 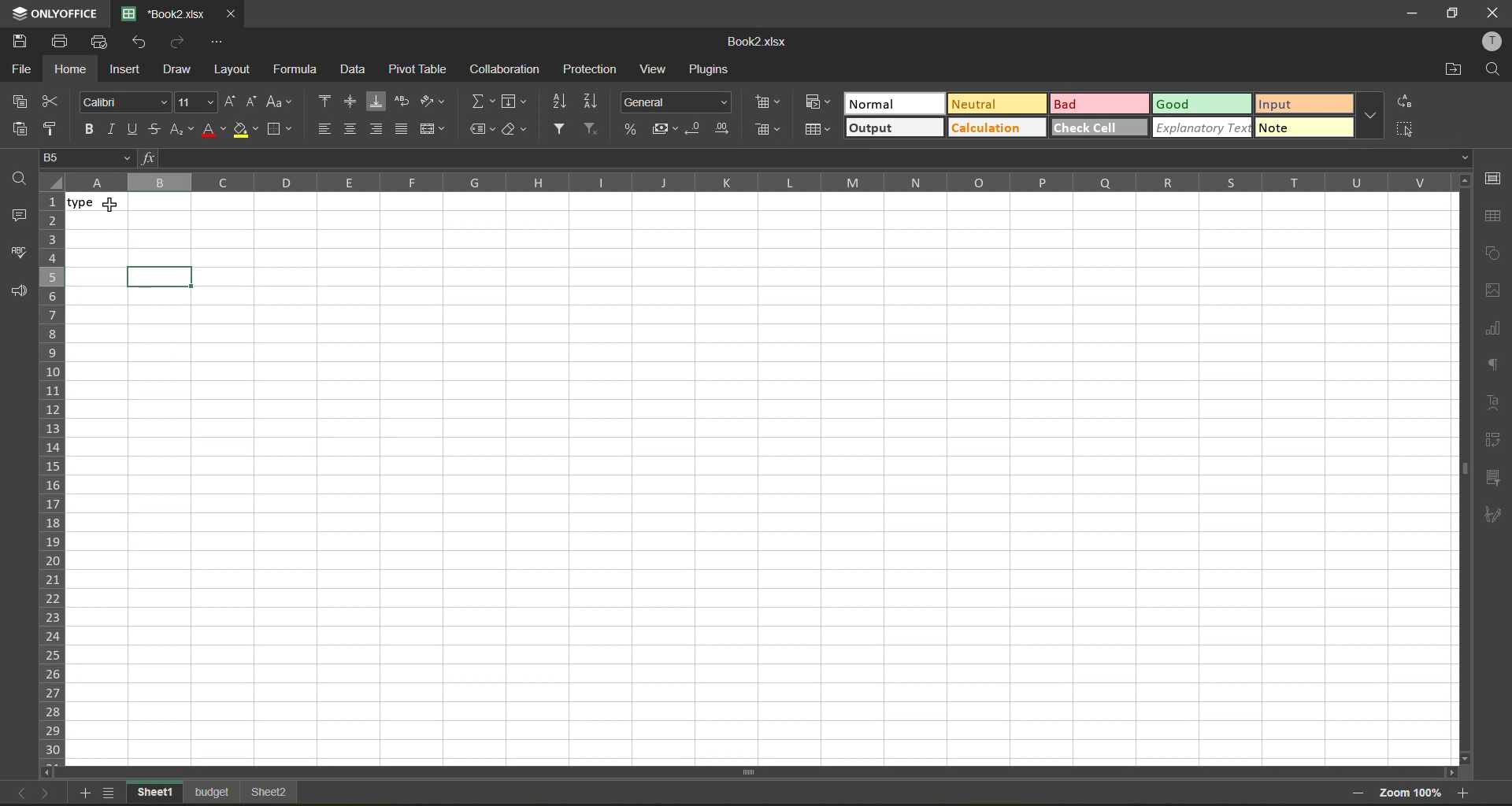 I want to click on copy, so click(x=24, y=102).